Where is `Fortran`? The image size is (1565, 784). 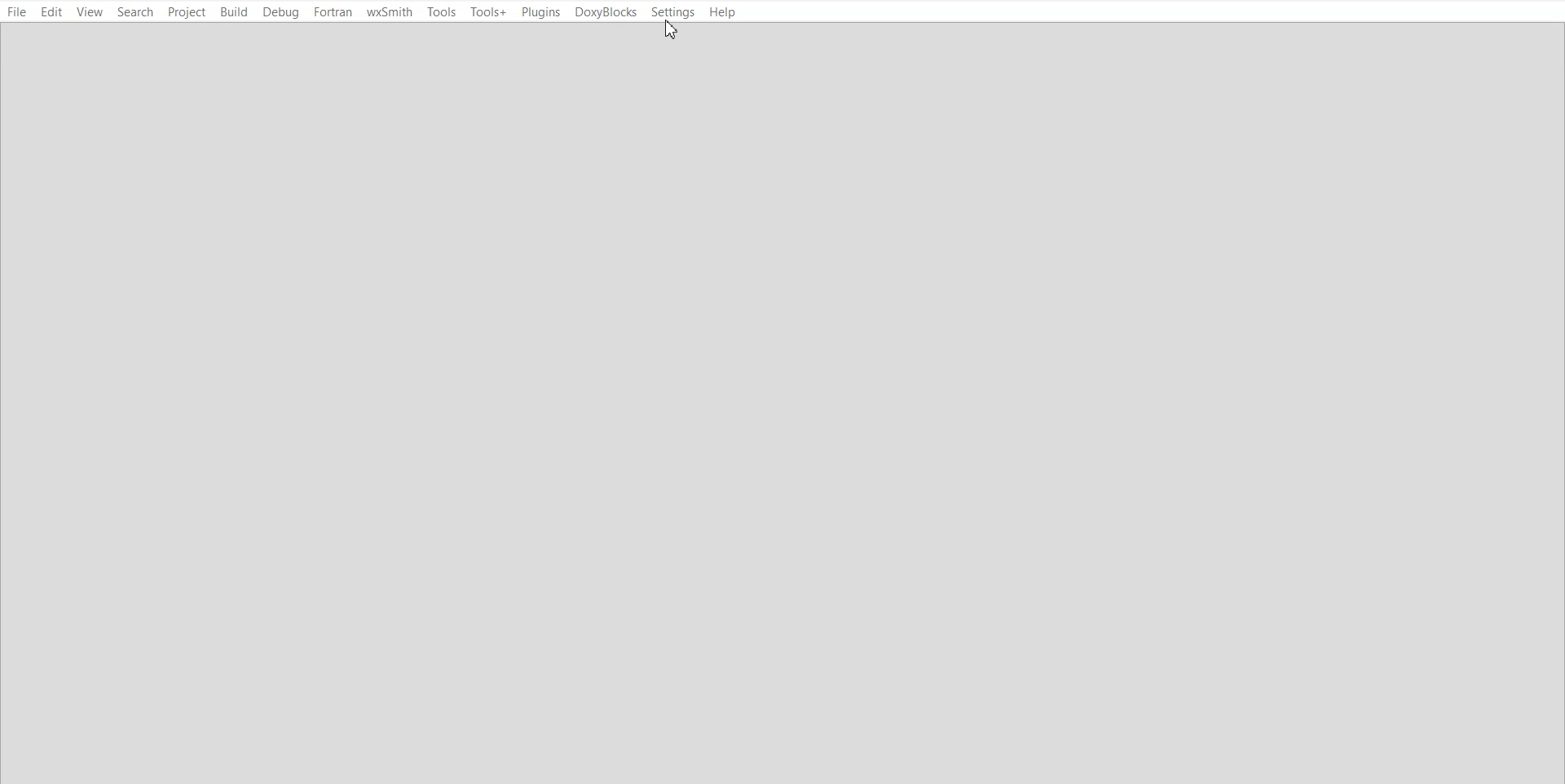 Fortran is located at coordinates (332, 11).